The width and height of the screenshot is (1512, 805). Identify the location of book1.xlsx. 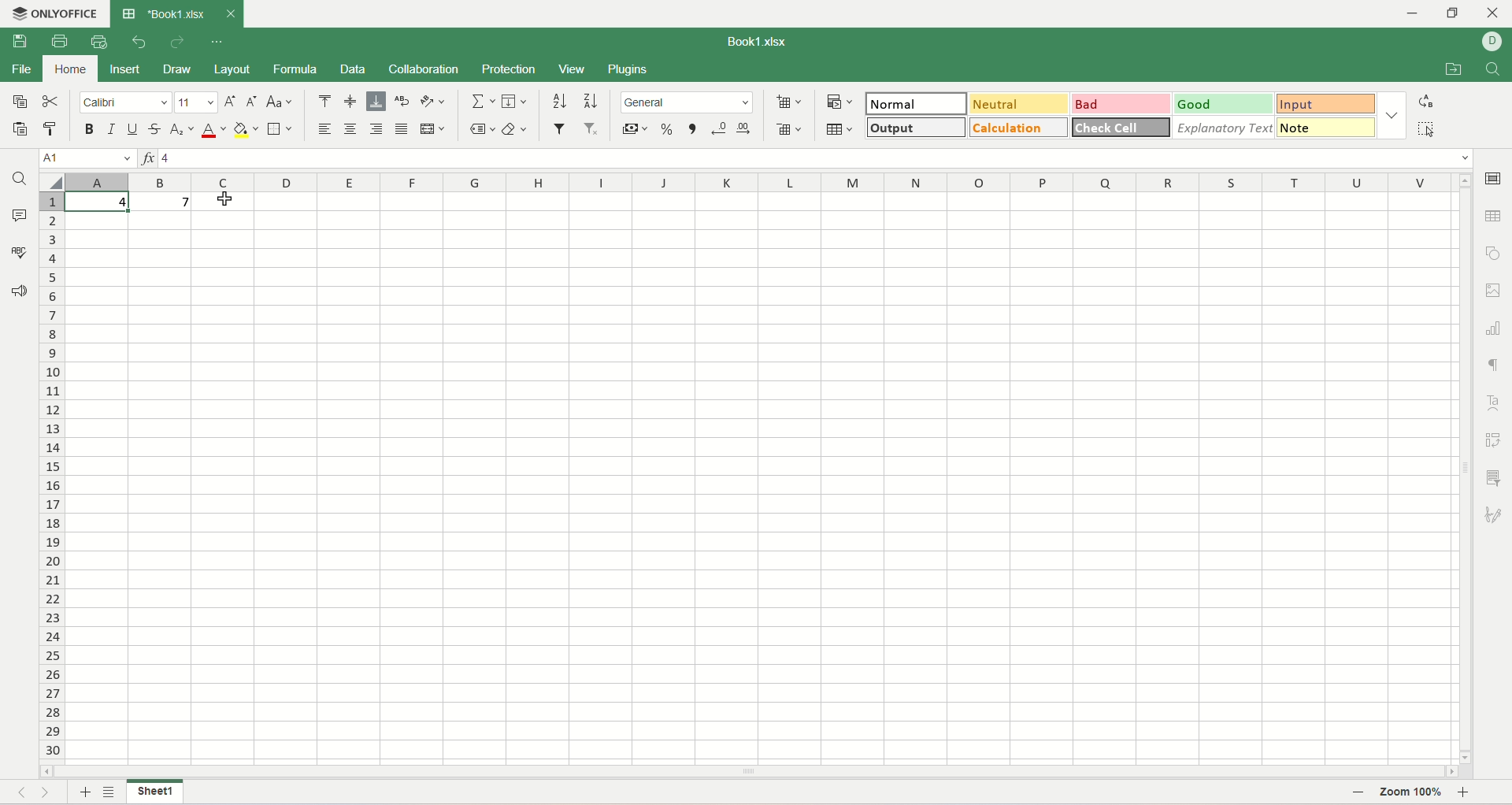
(176, 13).